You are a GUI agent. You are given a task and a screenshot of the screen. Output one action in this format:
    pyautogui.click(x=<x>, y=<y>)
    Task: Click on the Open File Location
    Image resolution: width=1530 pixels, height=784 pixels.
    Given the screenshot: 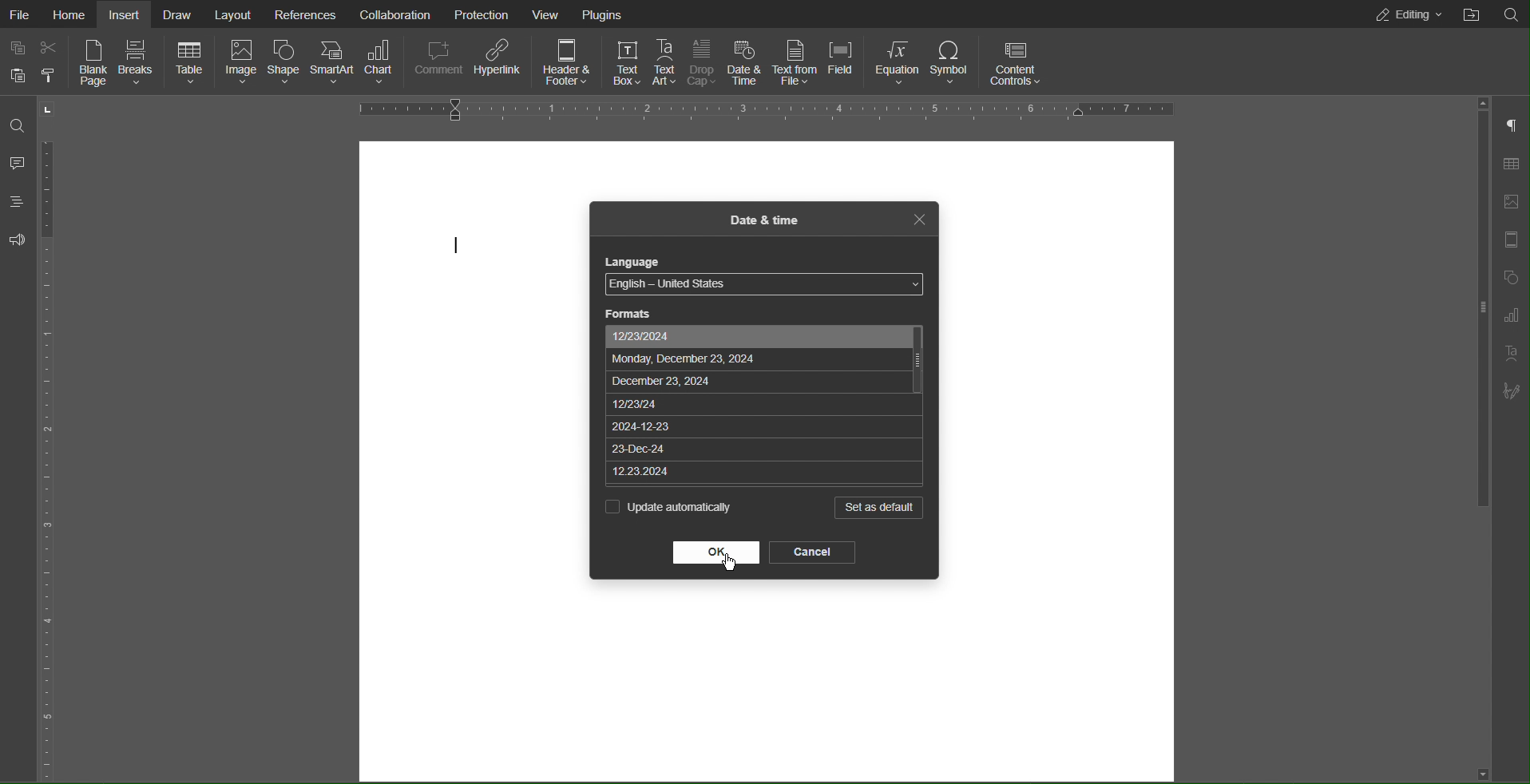 What is the action you would take?
    pyautogui.click(x=1471, y=14)
    